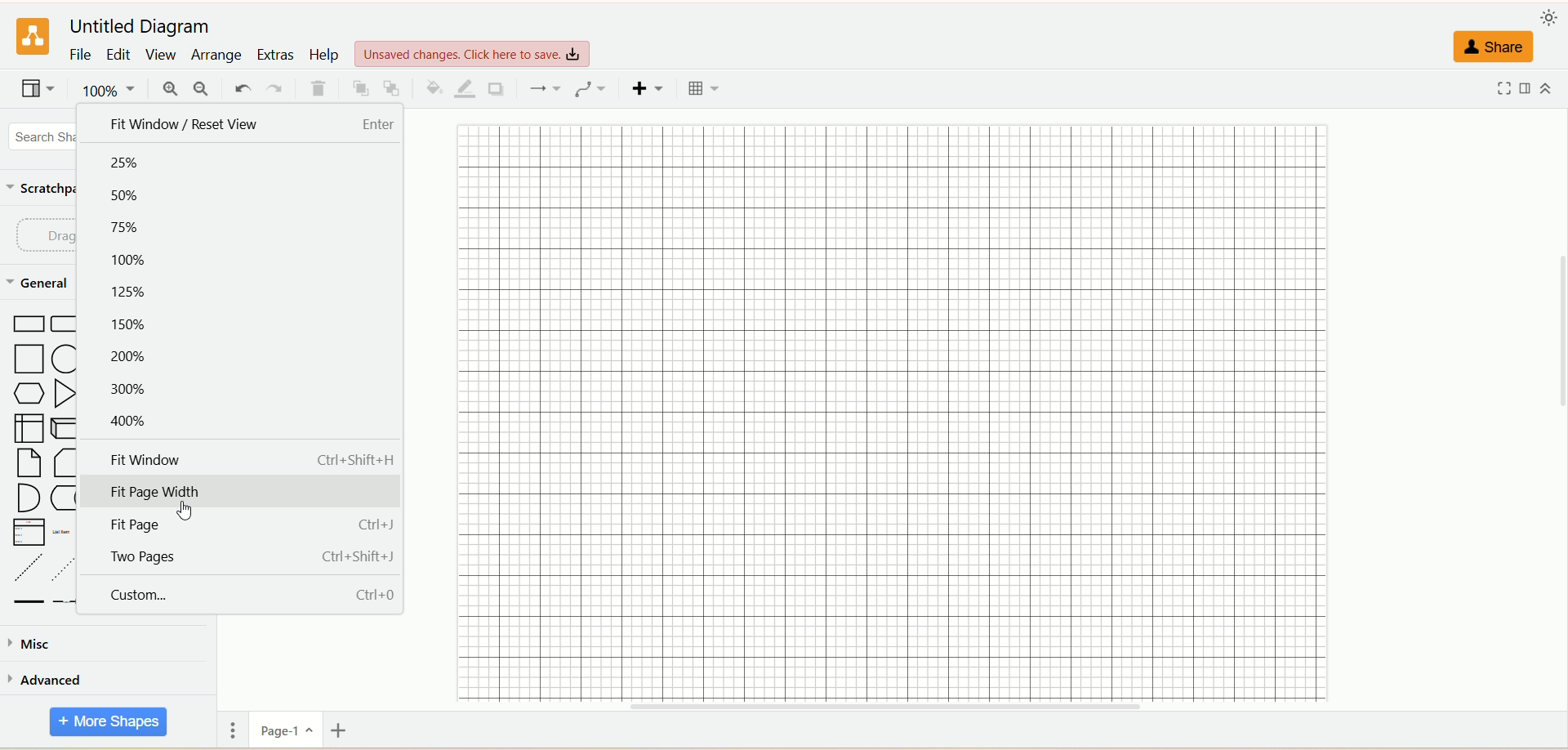 This screenshot has width=1568, height=750. What do you see at coordinates (244, 524) in the screenshot?
I see `fit page` at bounding box center [244, 524].